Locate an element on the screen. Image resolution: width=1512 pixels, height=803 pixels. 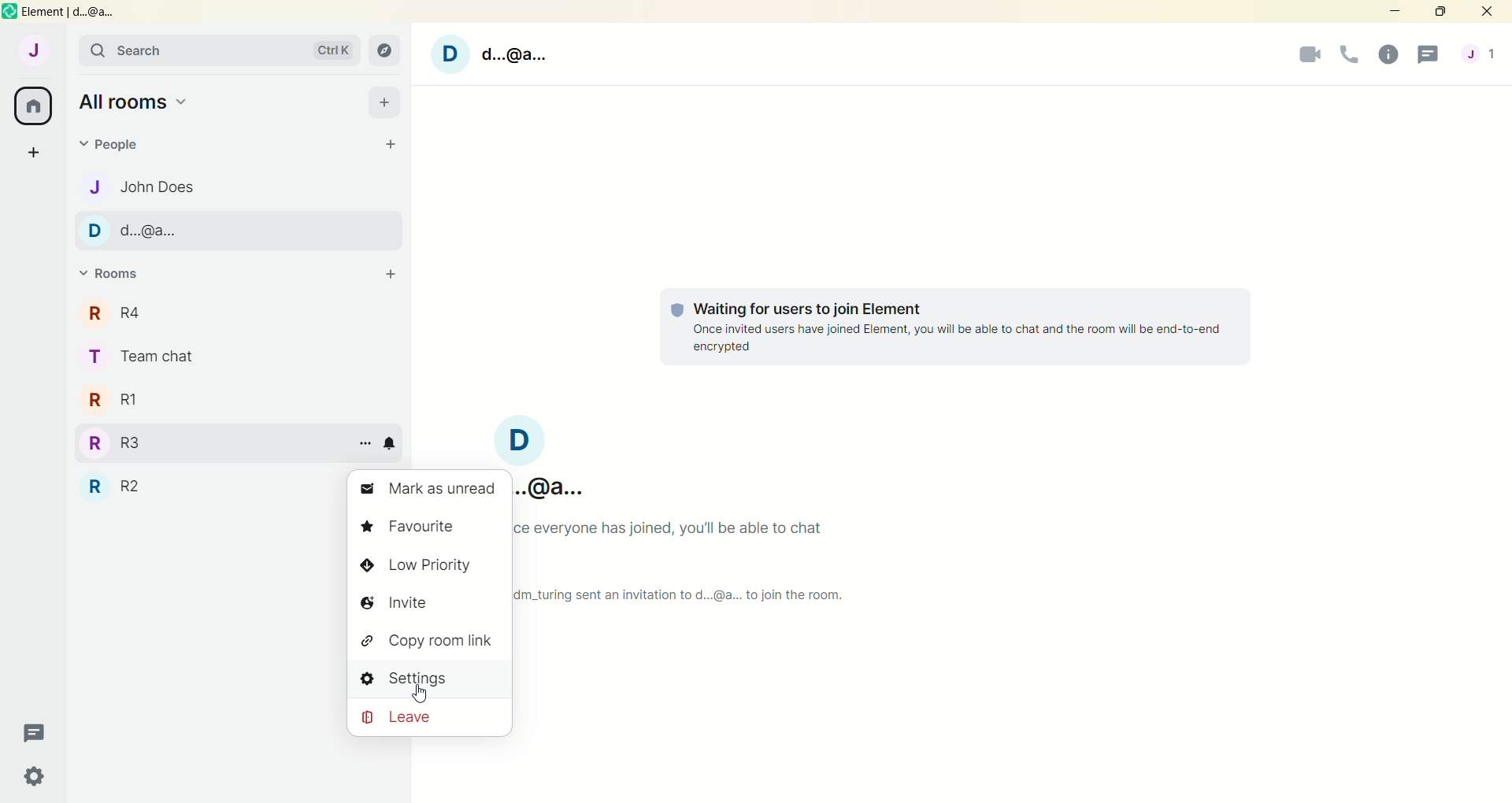
notification toggle is located at coordinates (391, 442).